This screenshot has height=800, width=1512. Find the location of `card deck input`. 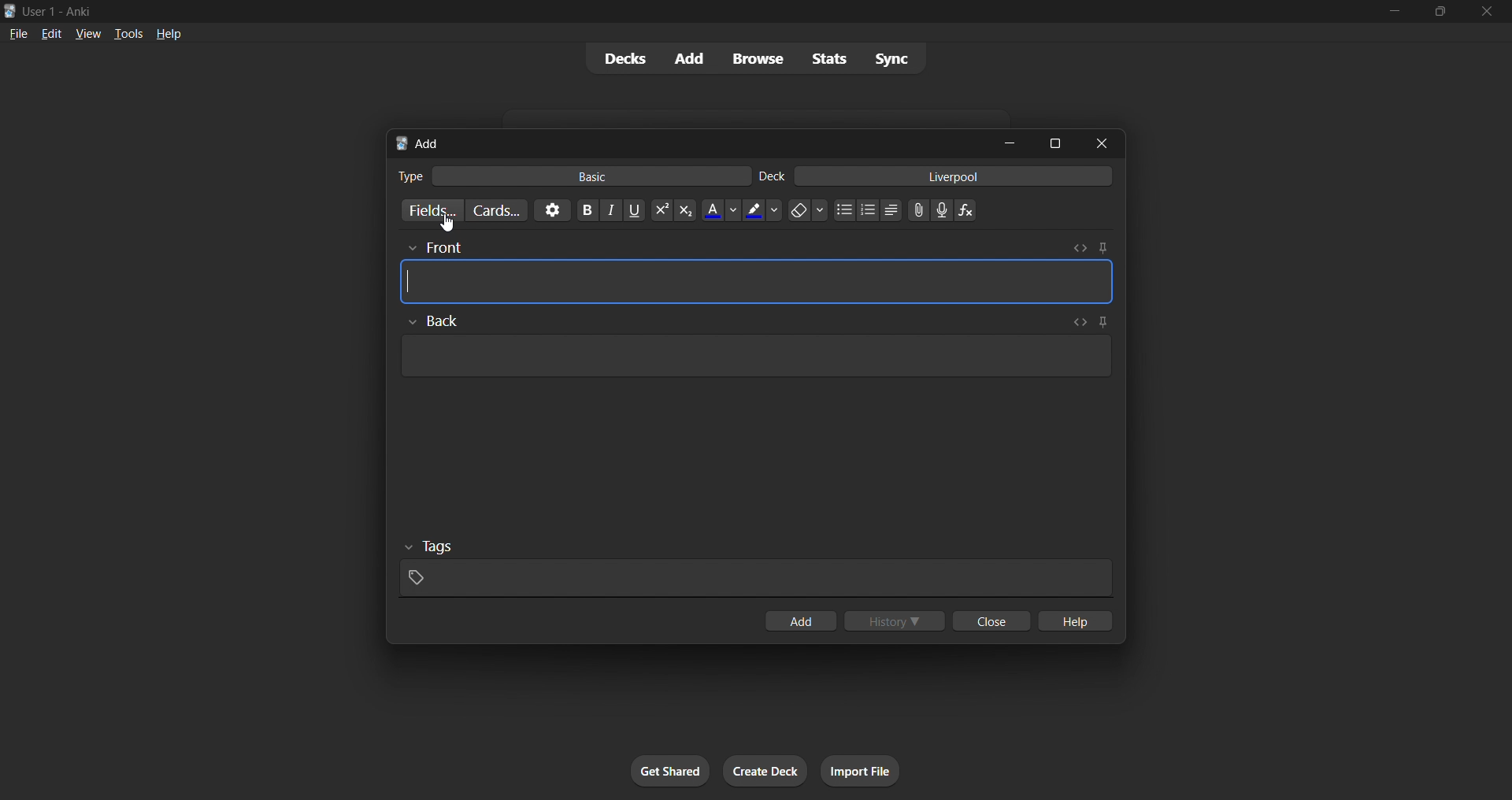

card deck input is located at coordinates (954, 176).